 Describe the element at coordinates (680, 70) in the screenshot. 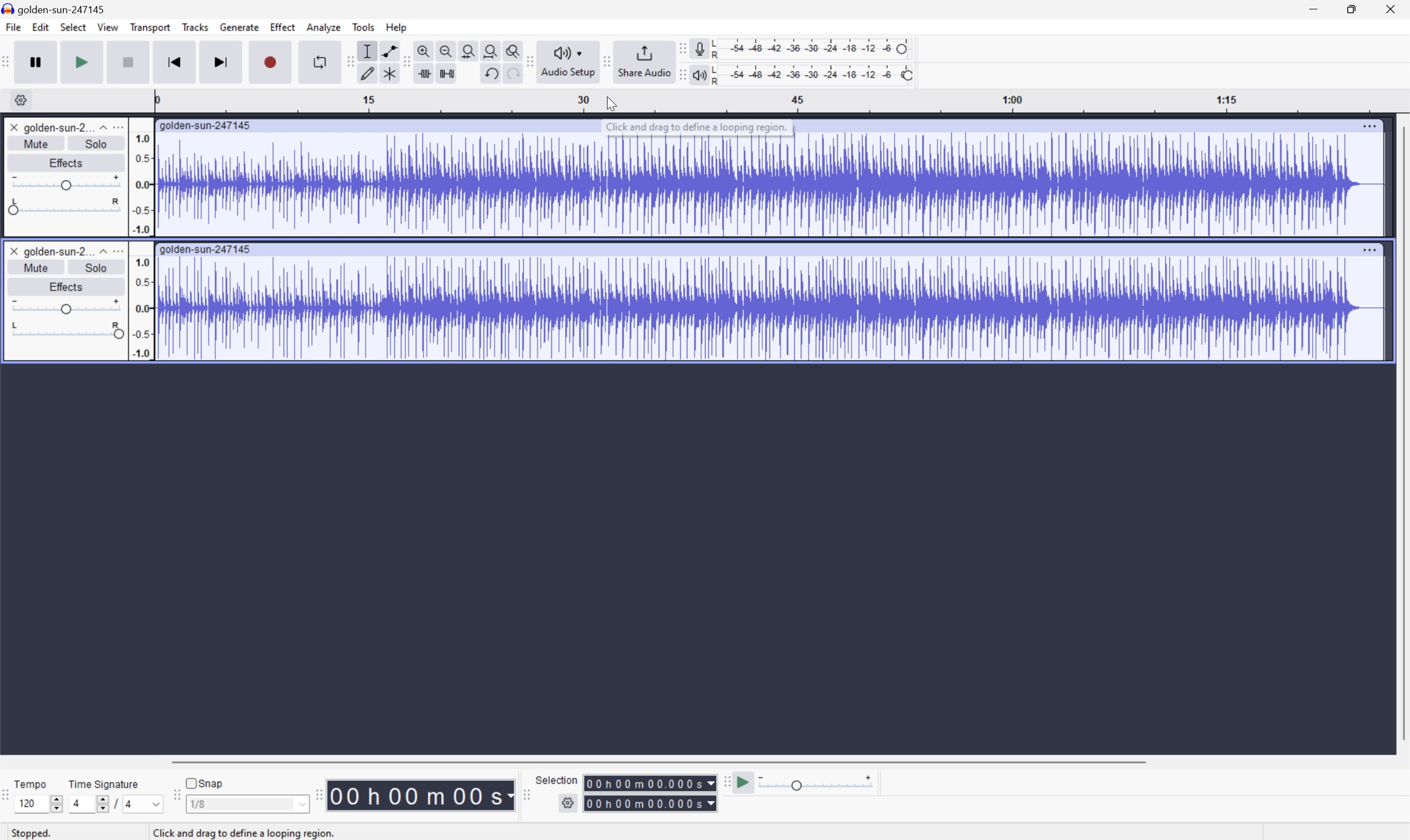

I see `Audacity playback meter toolbar` at that location.